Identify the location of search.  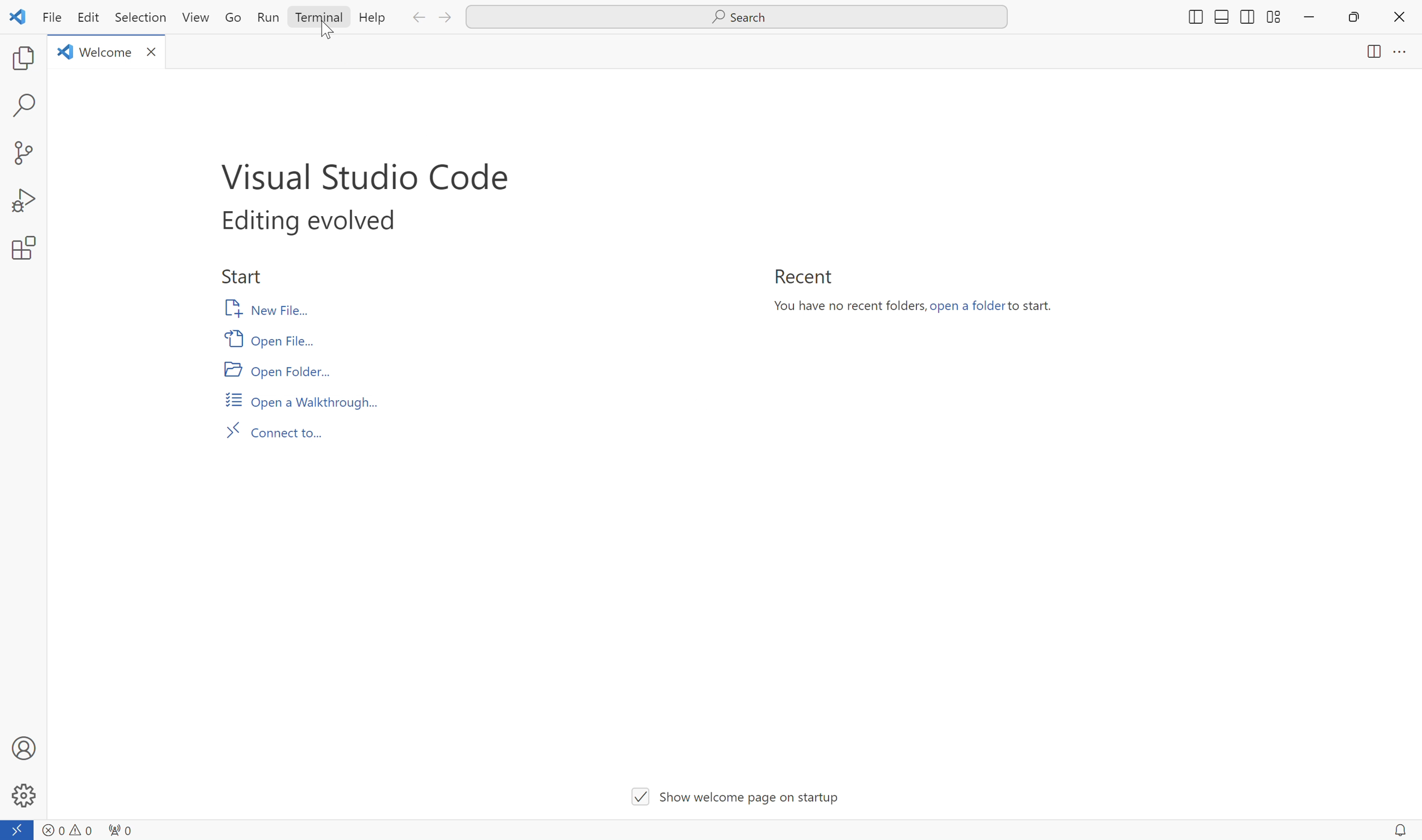
(26, 106).